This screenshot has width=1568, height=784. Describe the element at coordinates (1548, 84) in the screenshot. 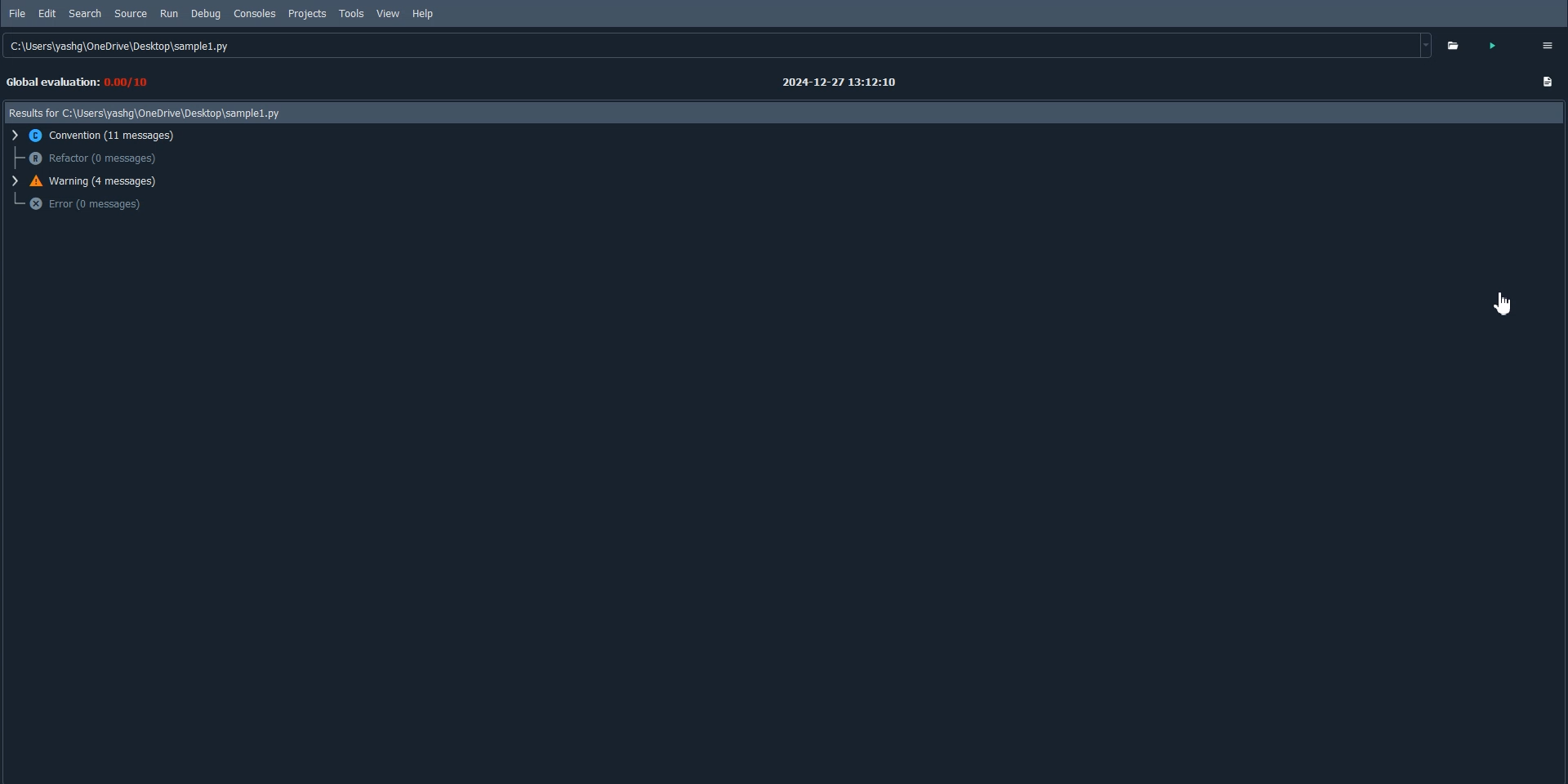

I see `Complete Output` at that location.